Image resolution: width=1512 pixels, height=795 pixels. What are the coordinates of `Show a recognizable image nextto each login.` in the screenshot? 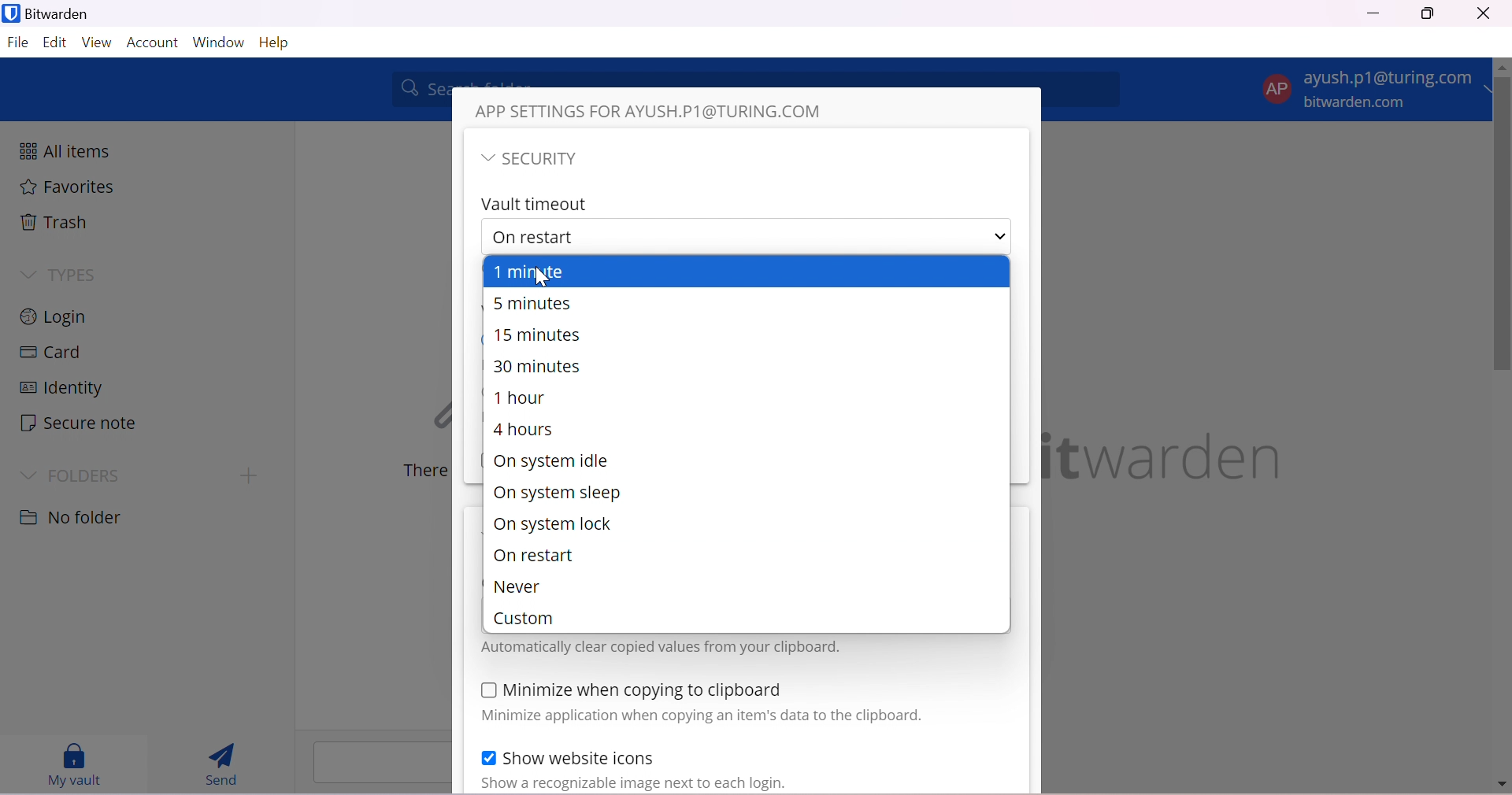 It's located at (673, 784).